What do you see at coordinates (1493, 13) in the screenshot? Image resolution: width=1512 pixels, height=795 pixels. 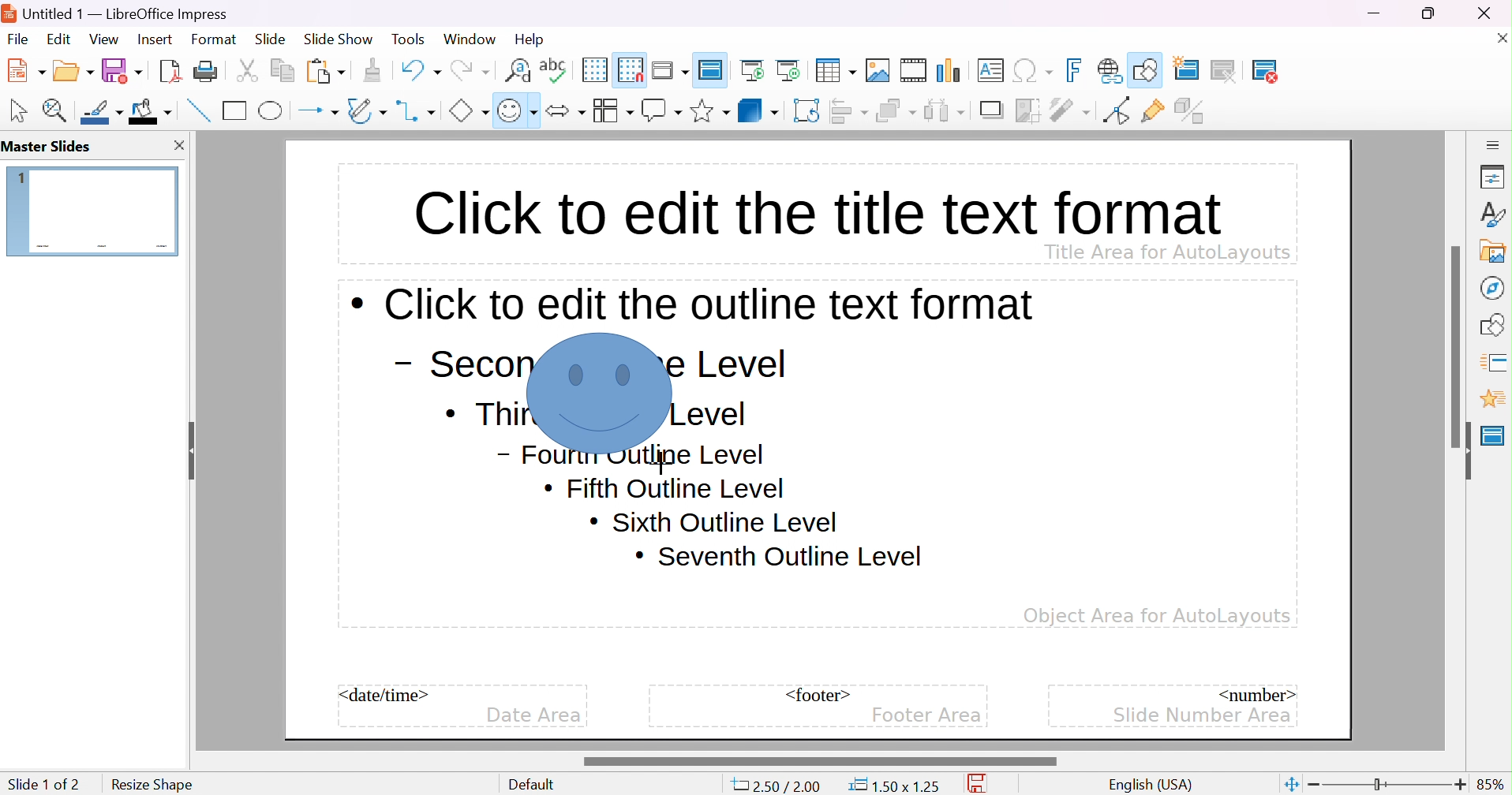 I see `close` at bounding box center [1493, 13].